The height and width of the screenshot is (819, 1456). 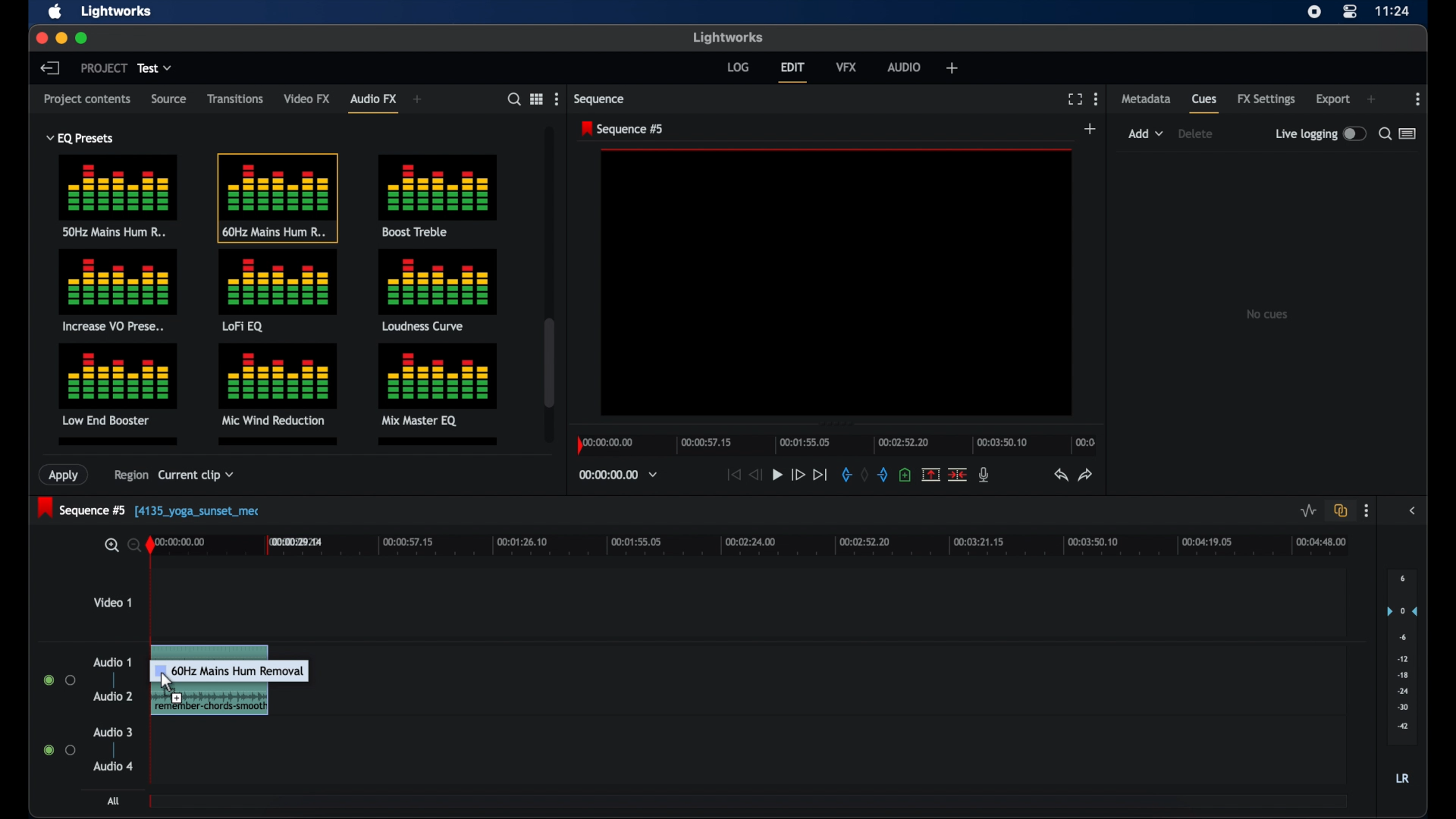 I want to click on LR, so click(x=1402, y=777).